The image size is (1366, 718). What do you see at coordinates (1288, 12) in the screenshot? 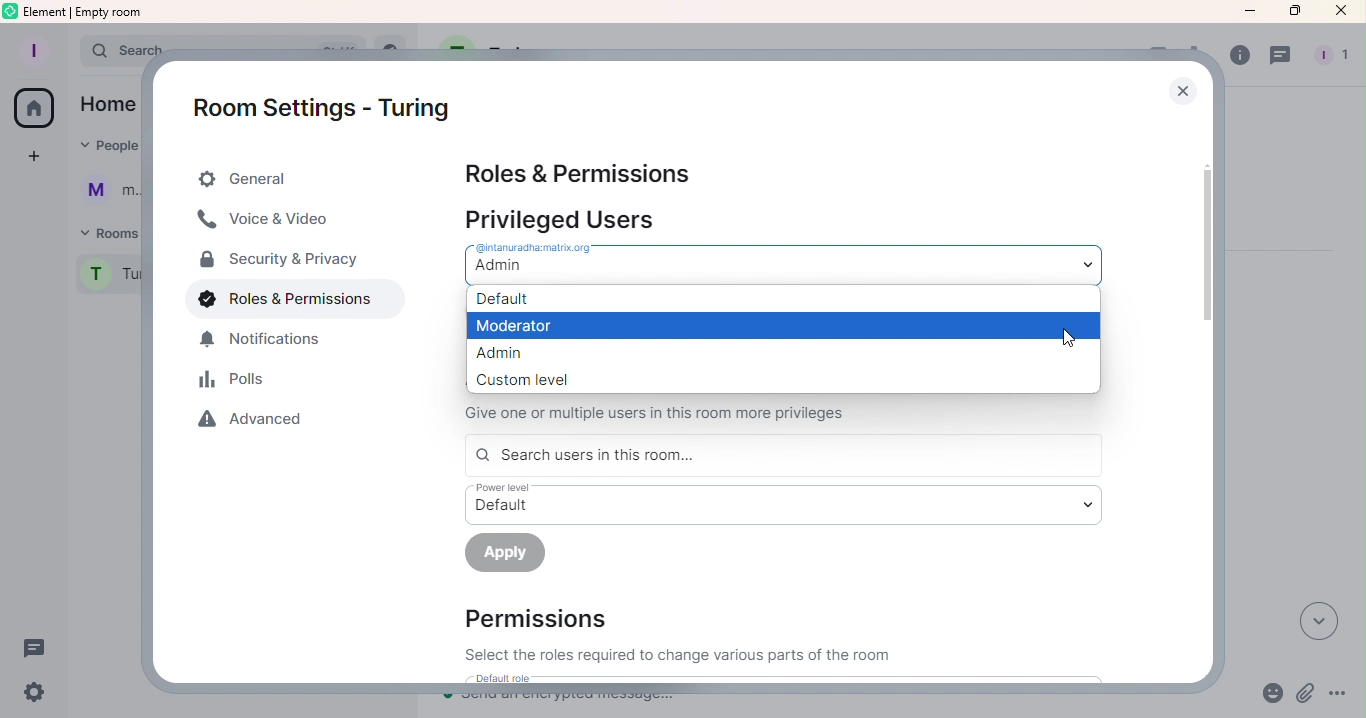
I see `Maximize` at bounding box center [1288, 12].